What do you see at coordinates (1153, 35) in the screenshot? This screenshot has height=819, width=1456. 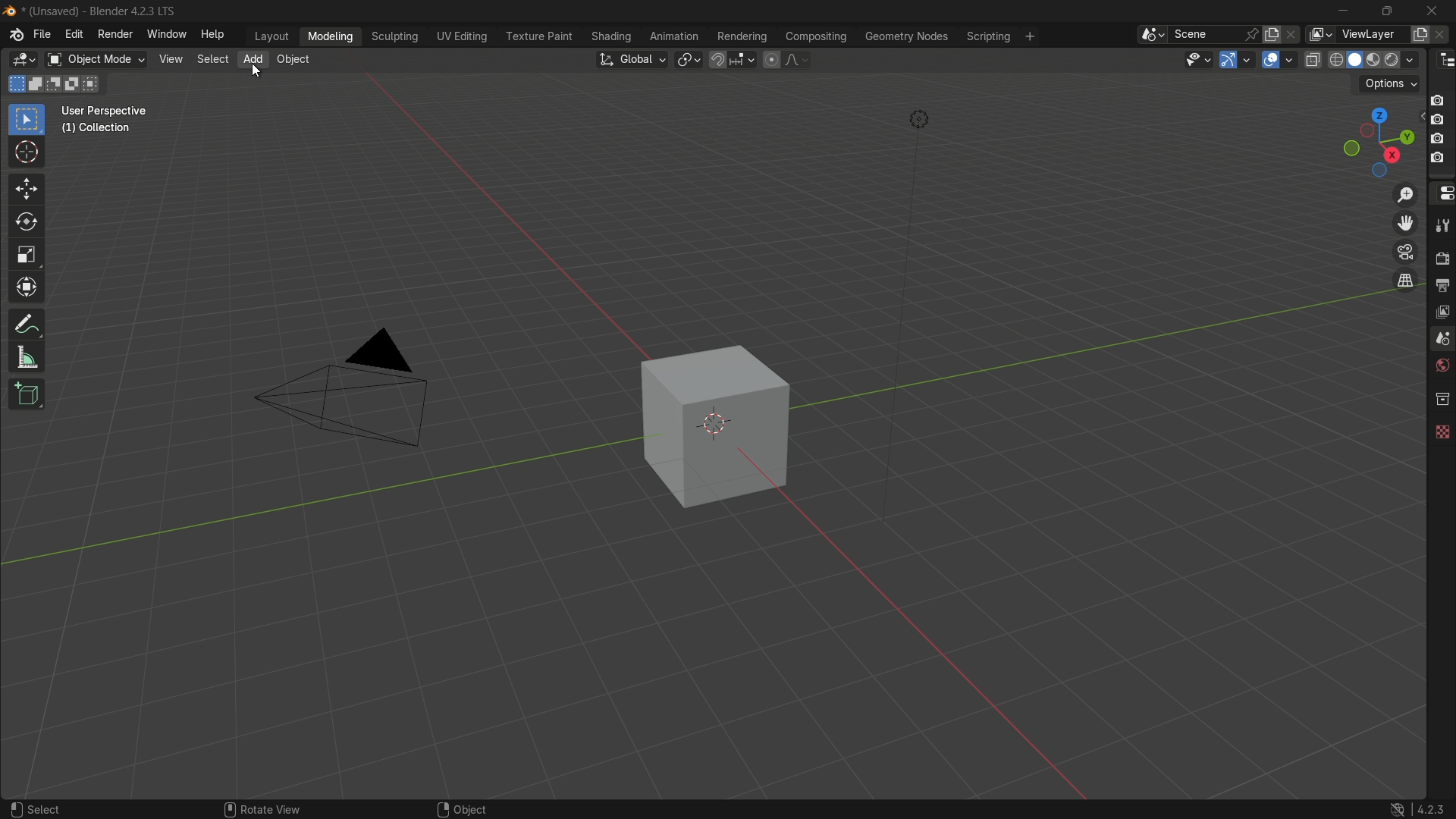 I see `browse scenes` at bounding box center [1153, 35].